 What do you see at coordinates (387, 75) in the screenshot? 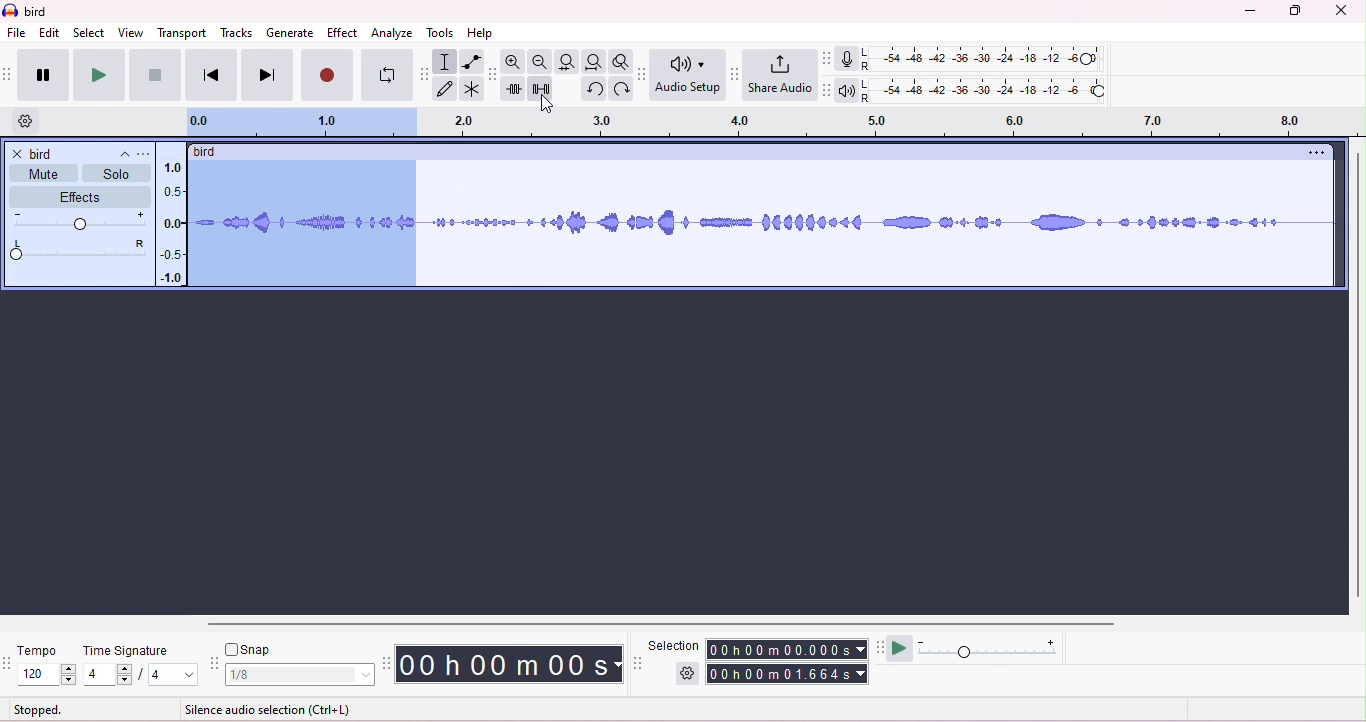
I see `loop` at bounding box center [387, 75].